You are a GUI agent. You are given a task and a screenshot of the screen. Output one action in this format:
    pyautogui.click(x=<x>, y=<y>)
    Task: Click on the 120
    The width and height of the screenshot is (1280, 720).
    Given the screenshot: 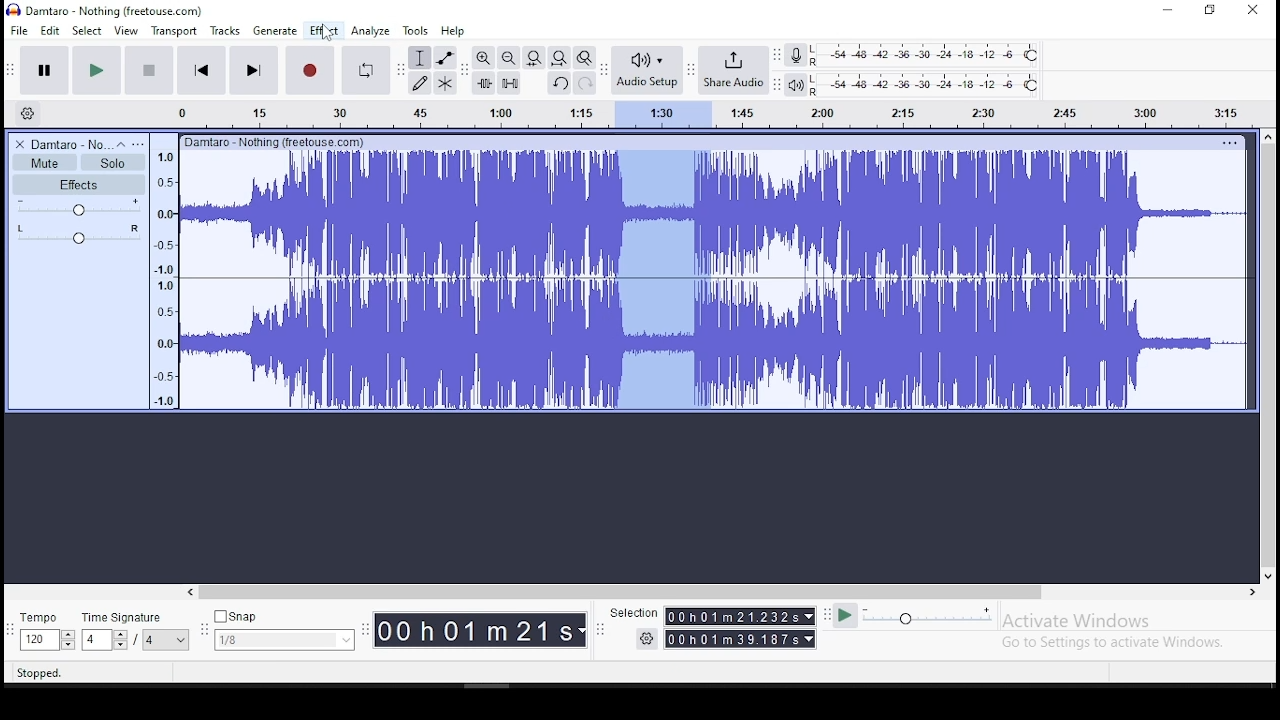 What is the action you would take?
    pyautogui.click(x=38, y=641)
    